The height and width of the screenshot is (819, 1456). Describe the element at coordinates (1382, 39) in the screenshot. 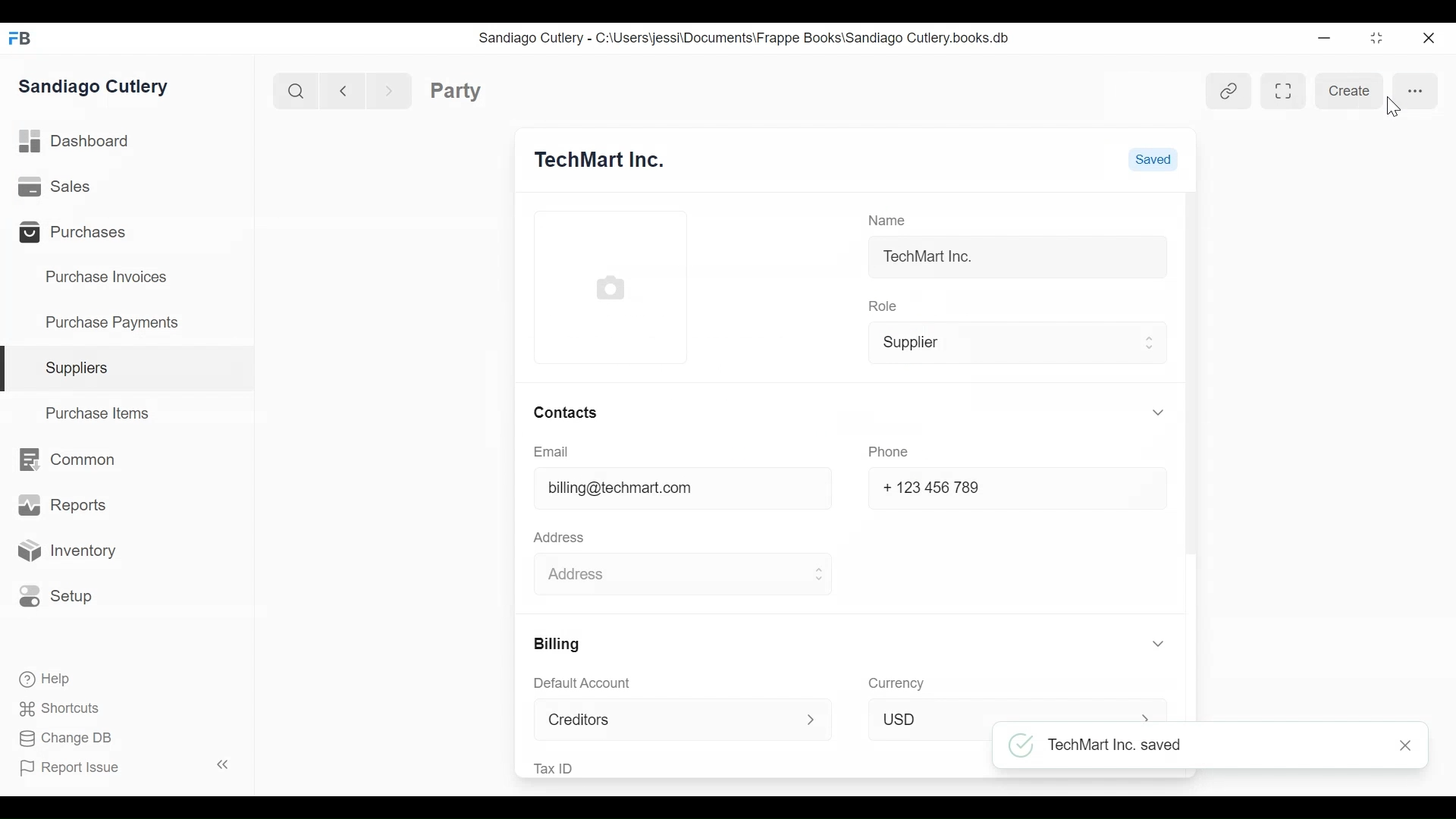

I see `maximize` at that location.